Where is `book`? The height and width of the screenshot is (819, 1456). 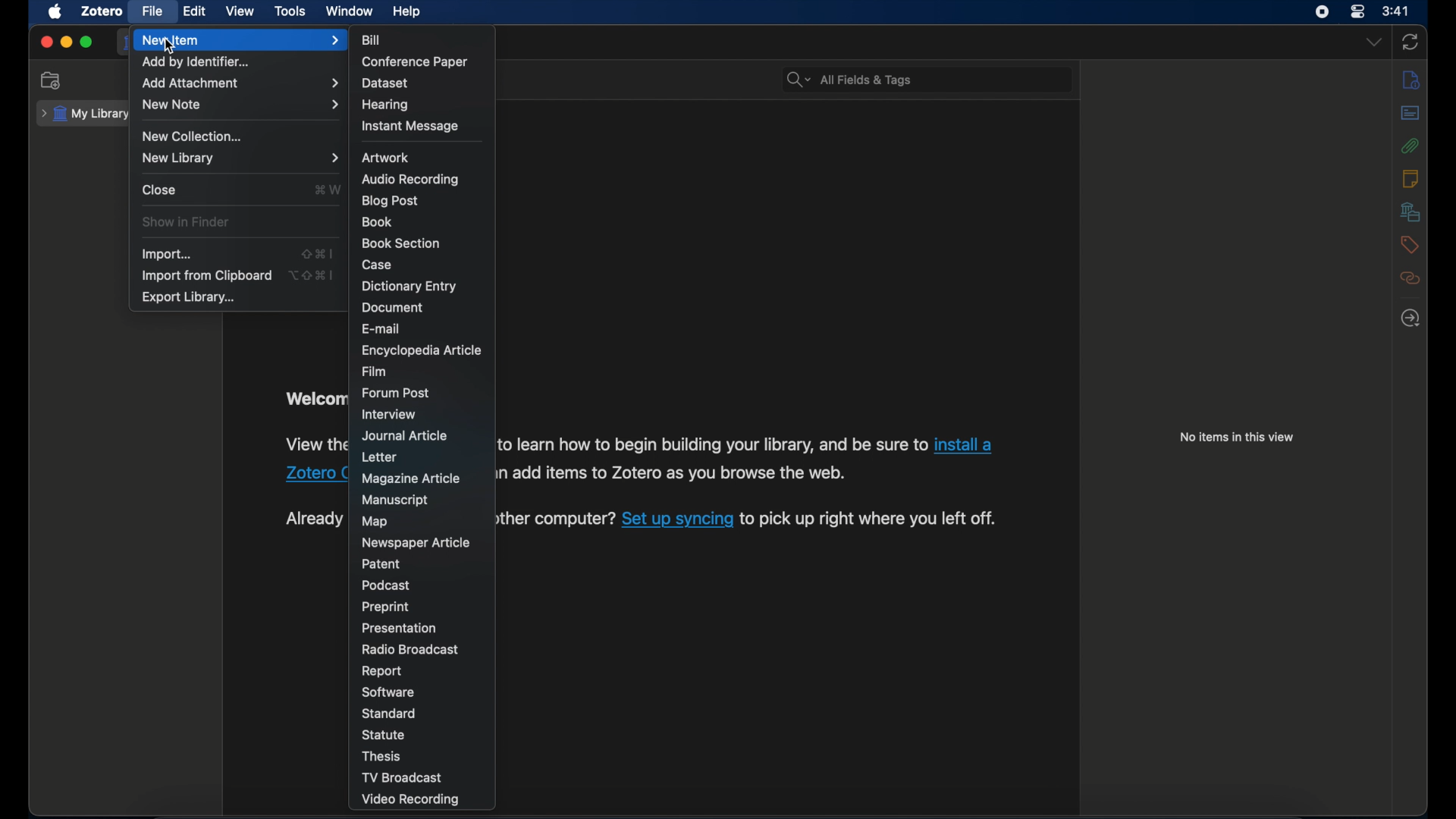
book is located at coordinates (378, 221).